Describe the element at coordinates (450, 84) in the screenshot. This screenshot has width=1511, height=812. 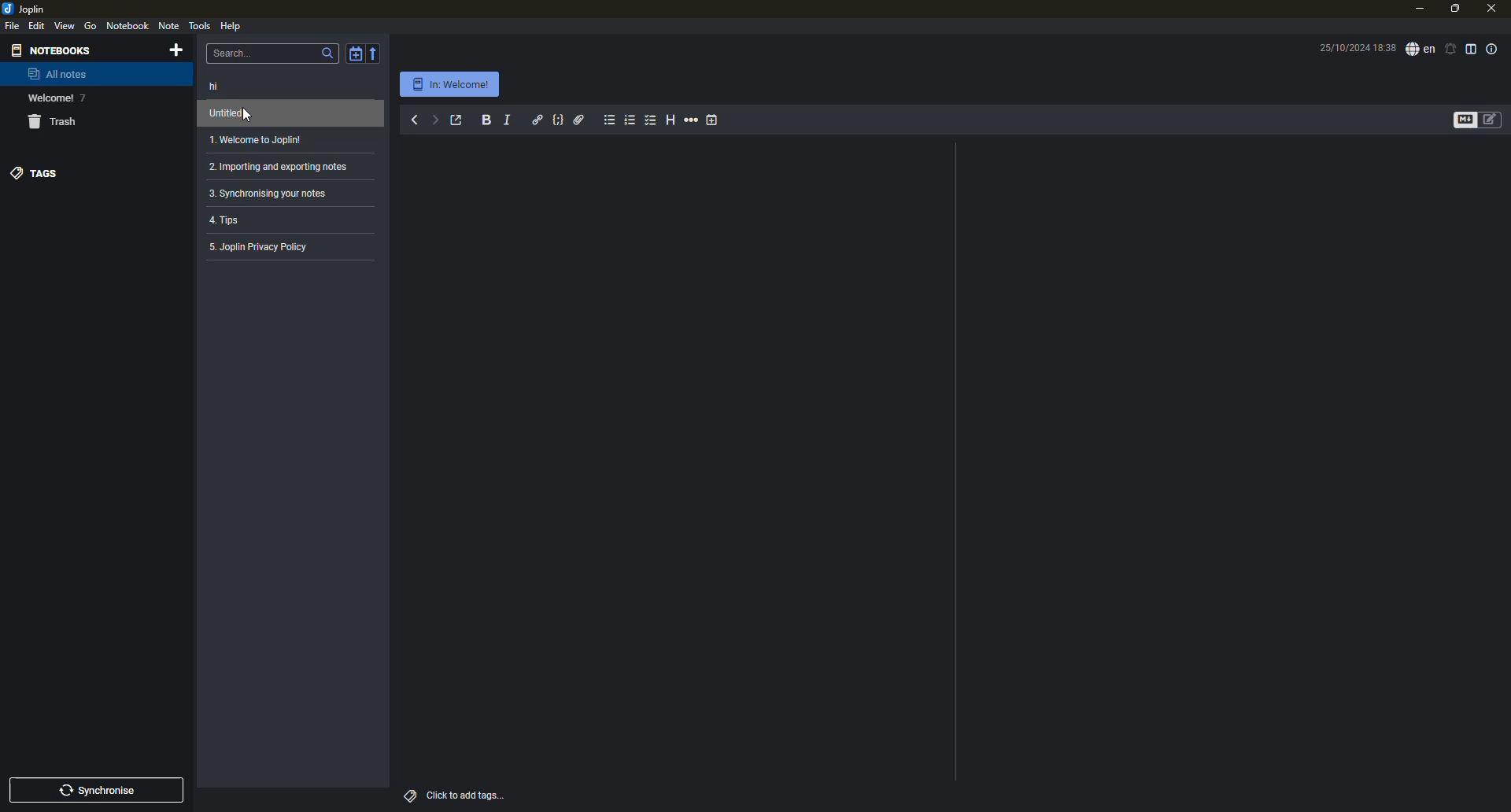
I see `In: Welcome!` at that location.